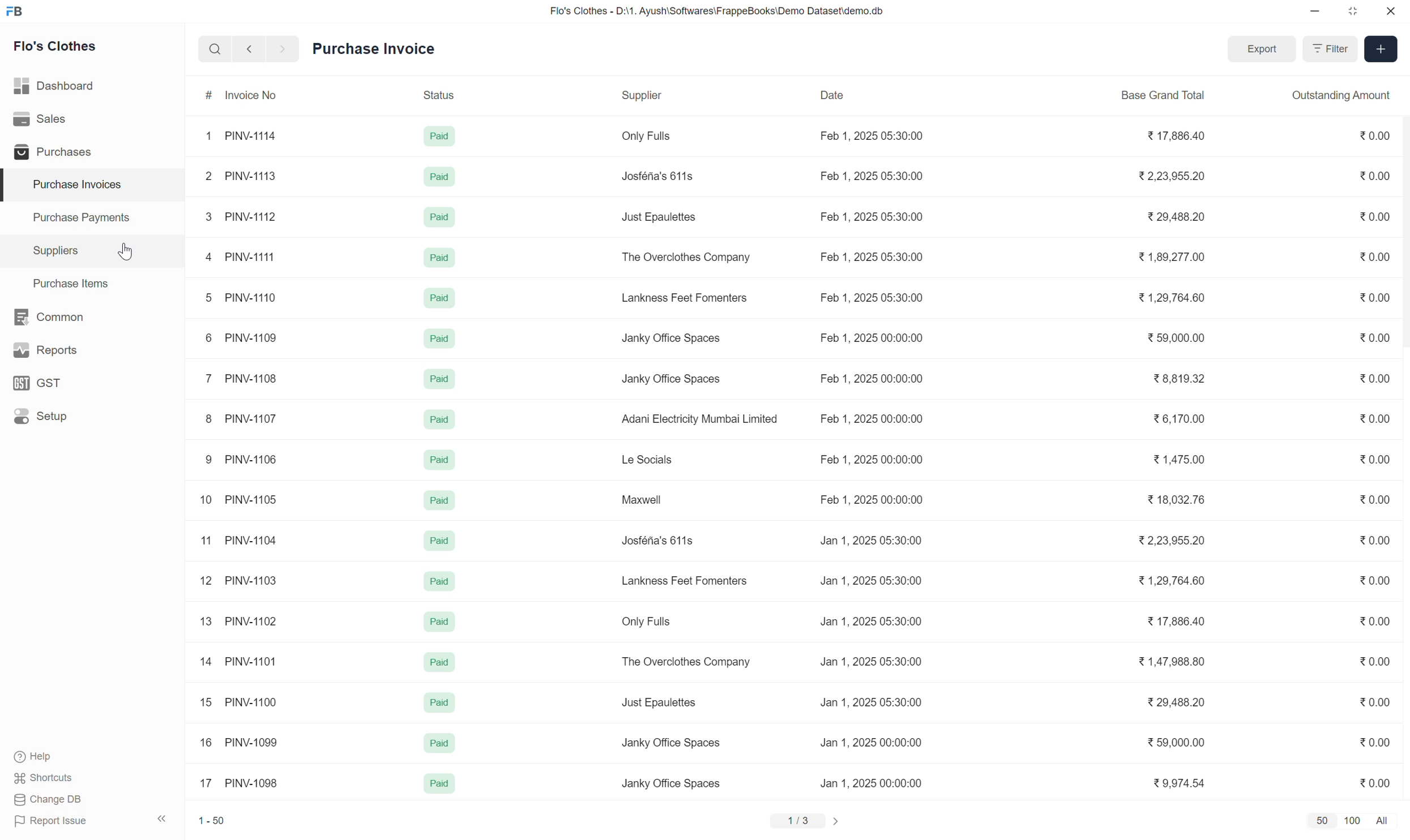  What do you see at coordinates (126, 251) in the screenshot?
I see `Cursor` at bounding box center [126, 251].